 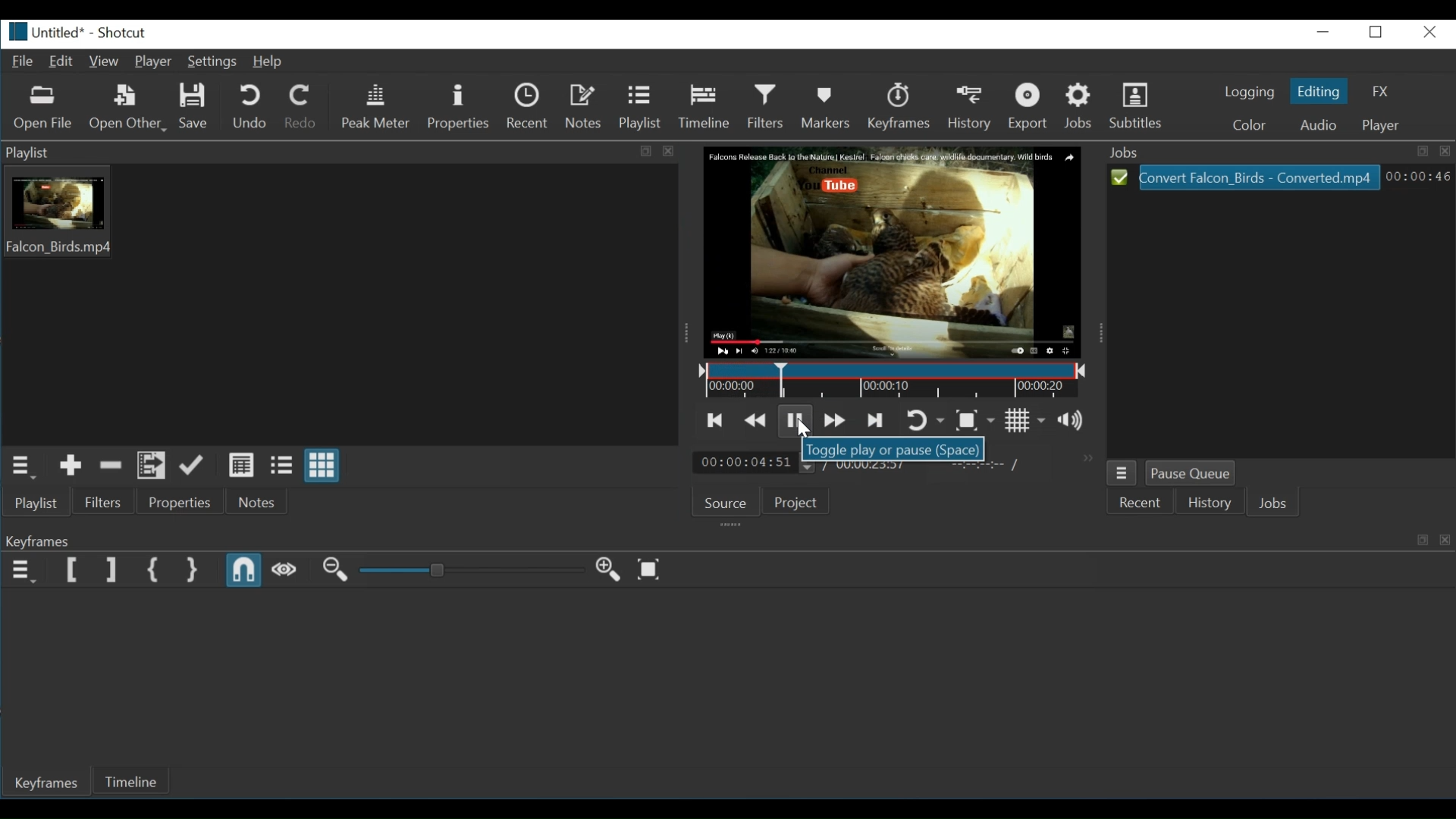 I want to click on 00:00:04:50, so click(x=742, y=463).